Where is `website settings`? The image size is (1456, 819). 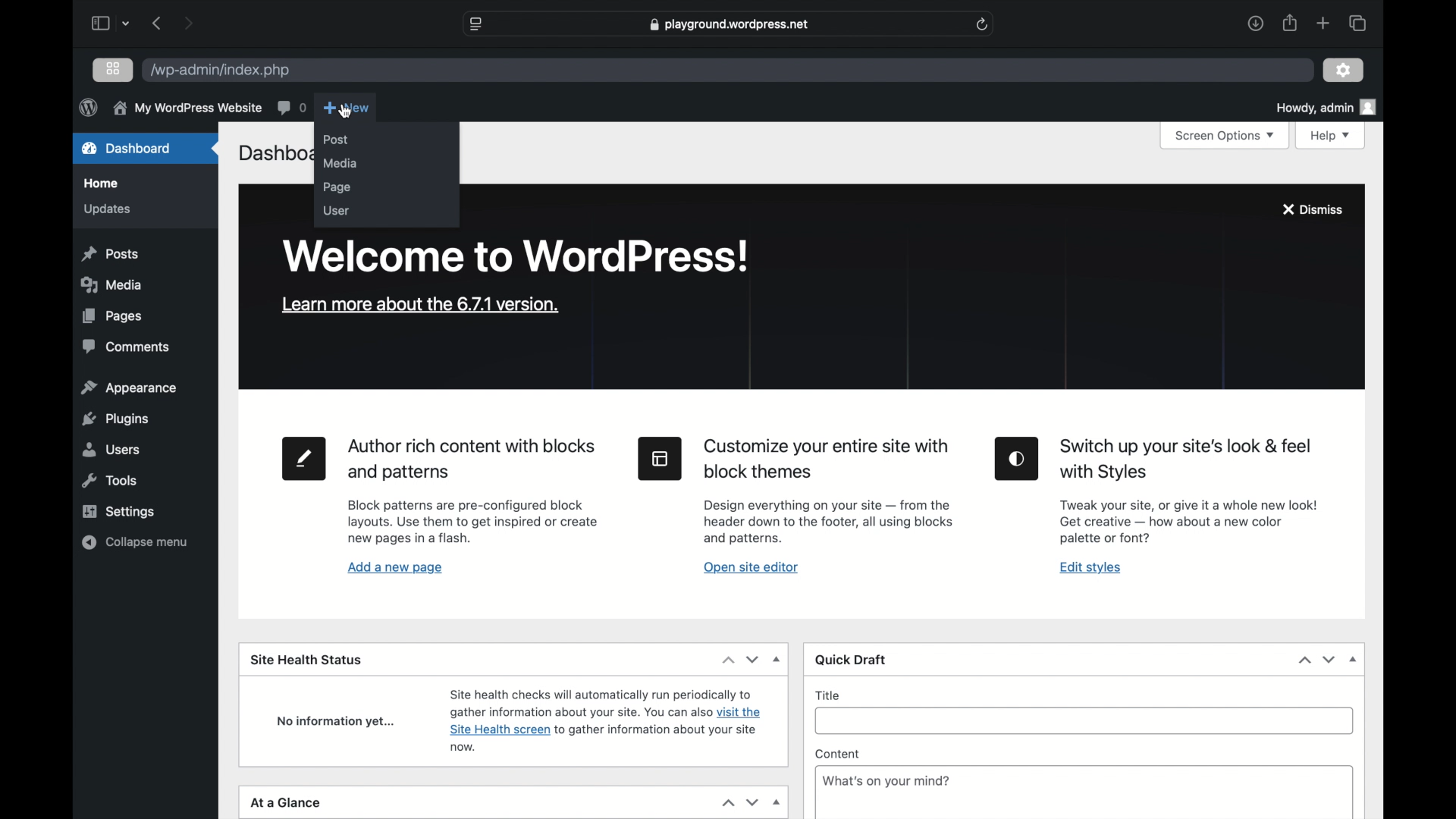 website settings is located at coordinates (475, 25).